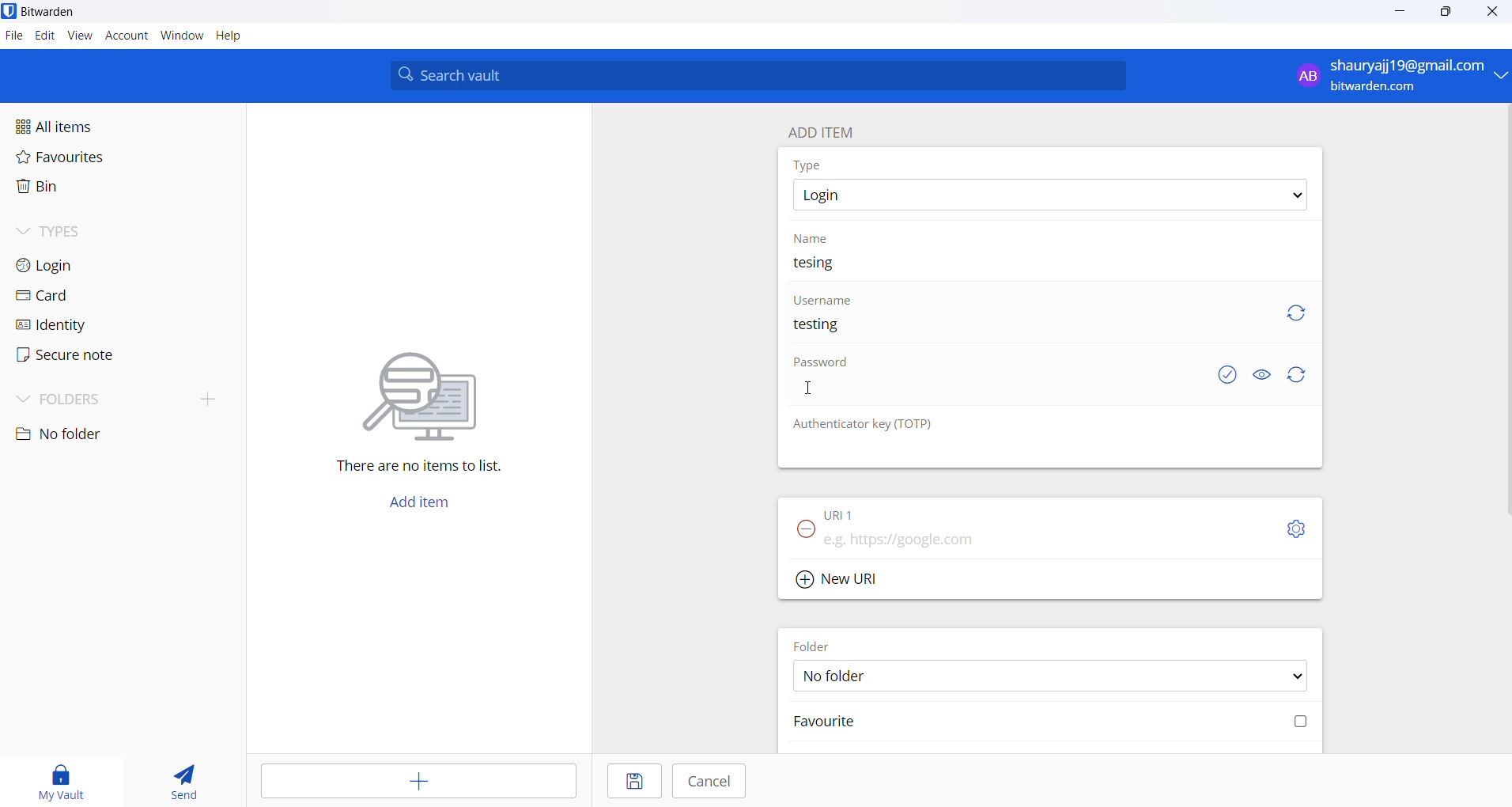 The width and height of the screenshot is (1512, 807). What do you see at coordinates (185, 783) in the screenshot?
I see `send` at bounding box center [185, 783].